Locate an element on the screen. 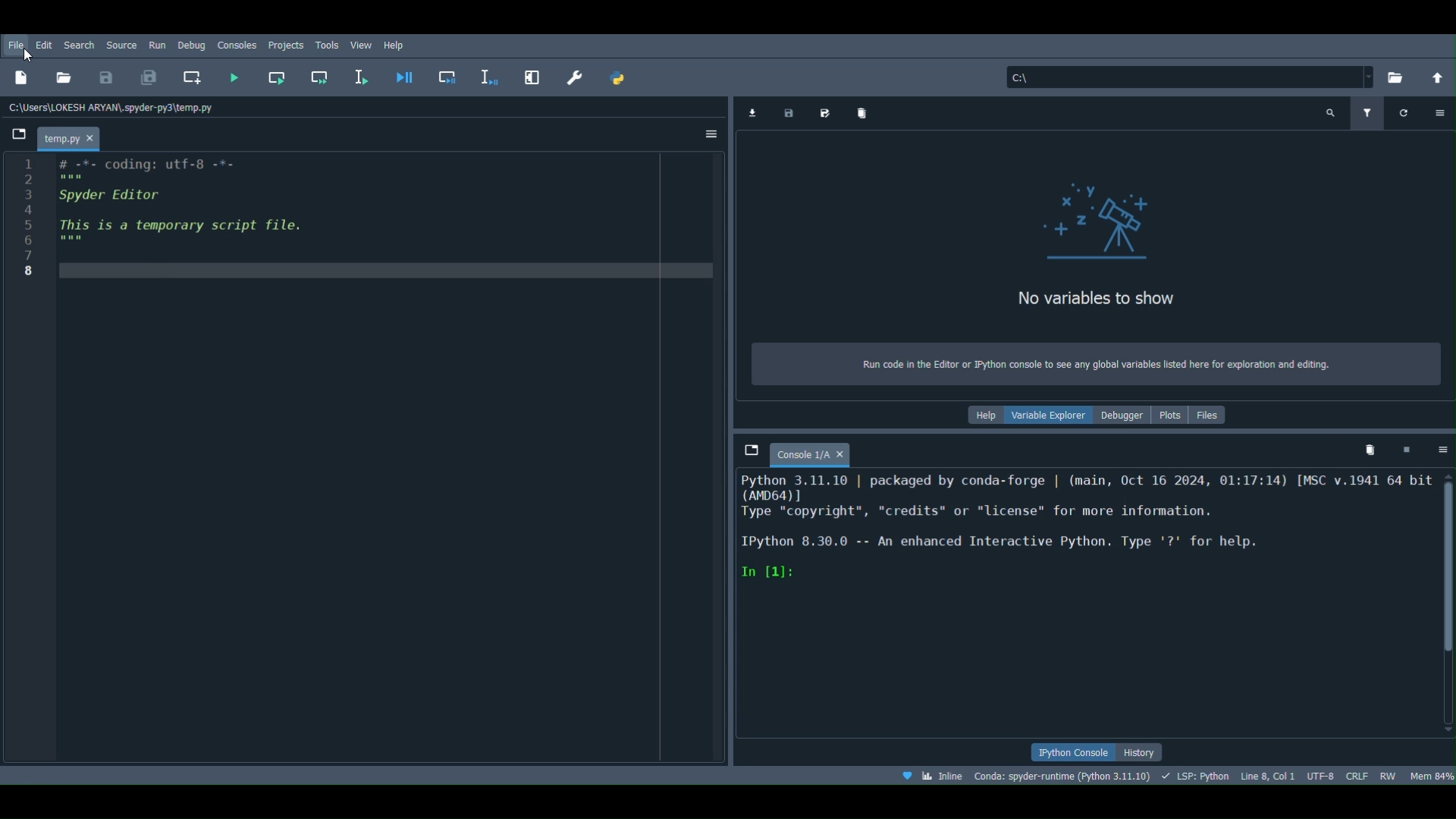 The image size is (1456, 819). Debug selection or current line is located at coordinates (486, 75).